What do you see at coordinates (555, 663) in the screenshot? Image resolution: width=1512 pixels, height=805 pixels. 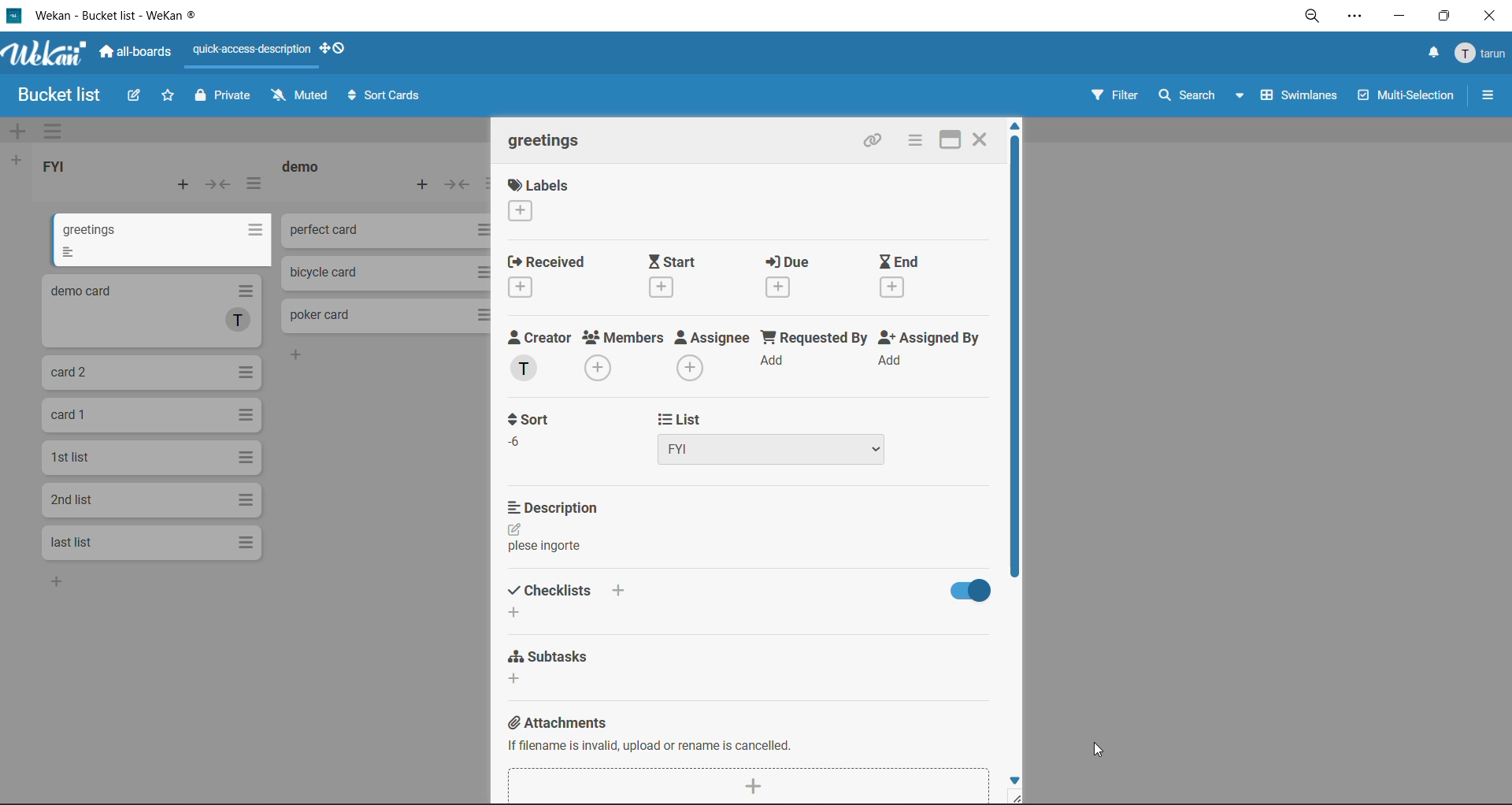 I see `subtasks` at bounding box center [555, 663].